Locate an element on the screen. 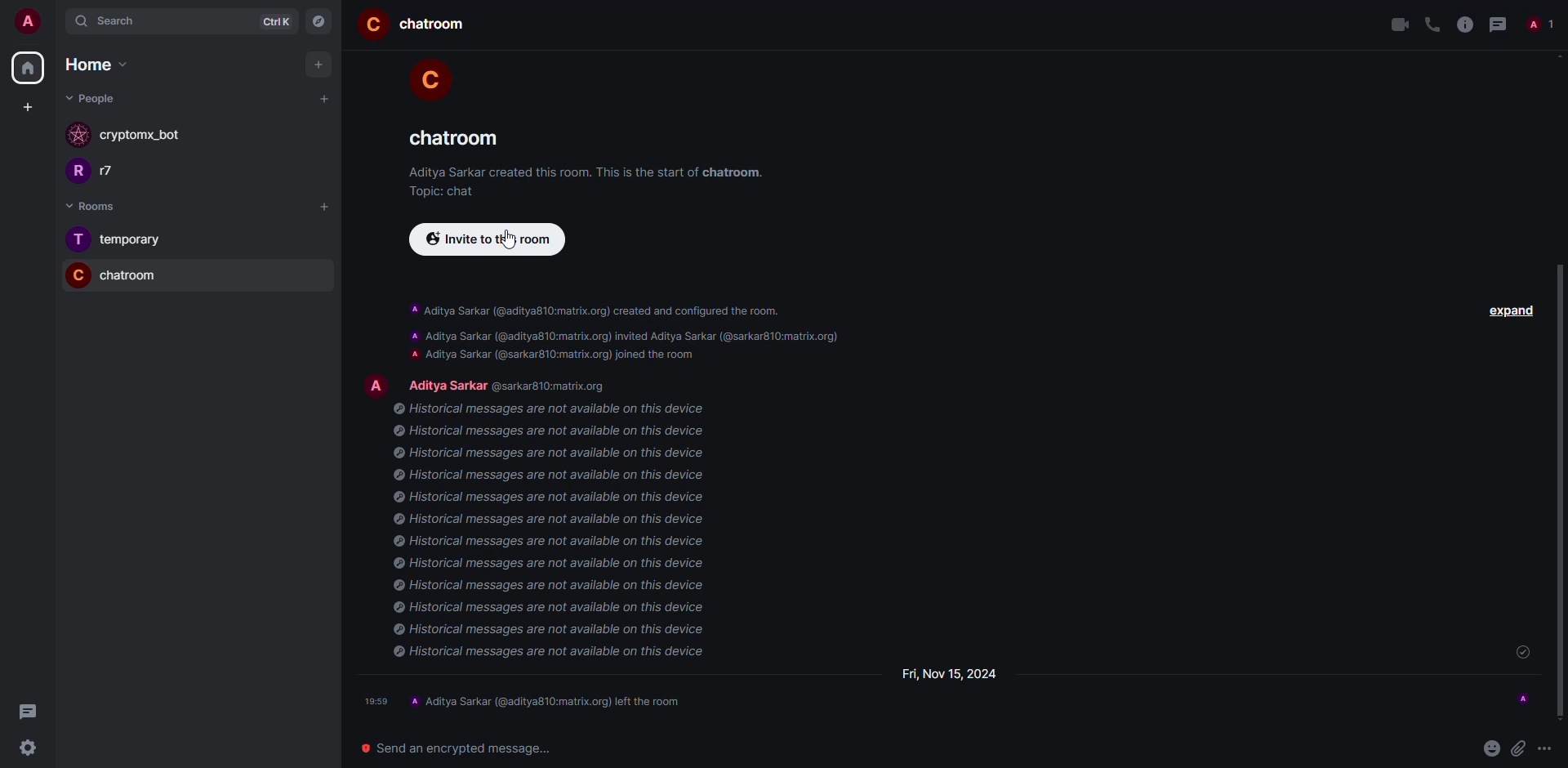 The width and height of the screenshot is (1568, 768). voice call is located at coordinates (1432, 25).